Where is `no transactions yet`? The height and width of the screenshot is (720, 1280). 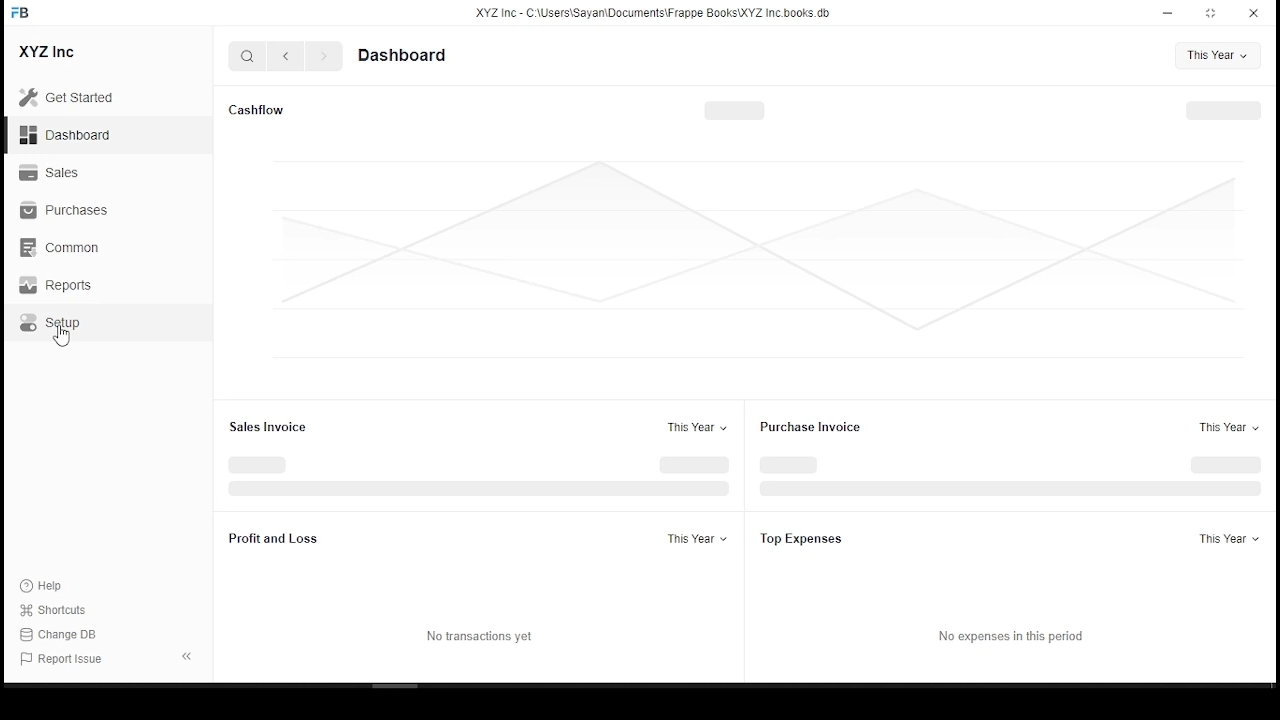
no transactions yet is located at coordinates (480, 638).